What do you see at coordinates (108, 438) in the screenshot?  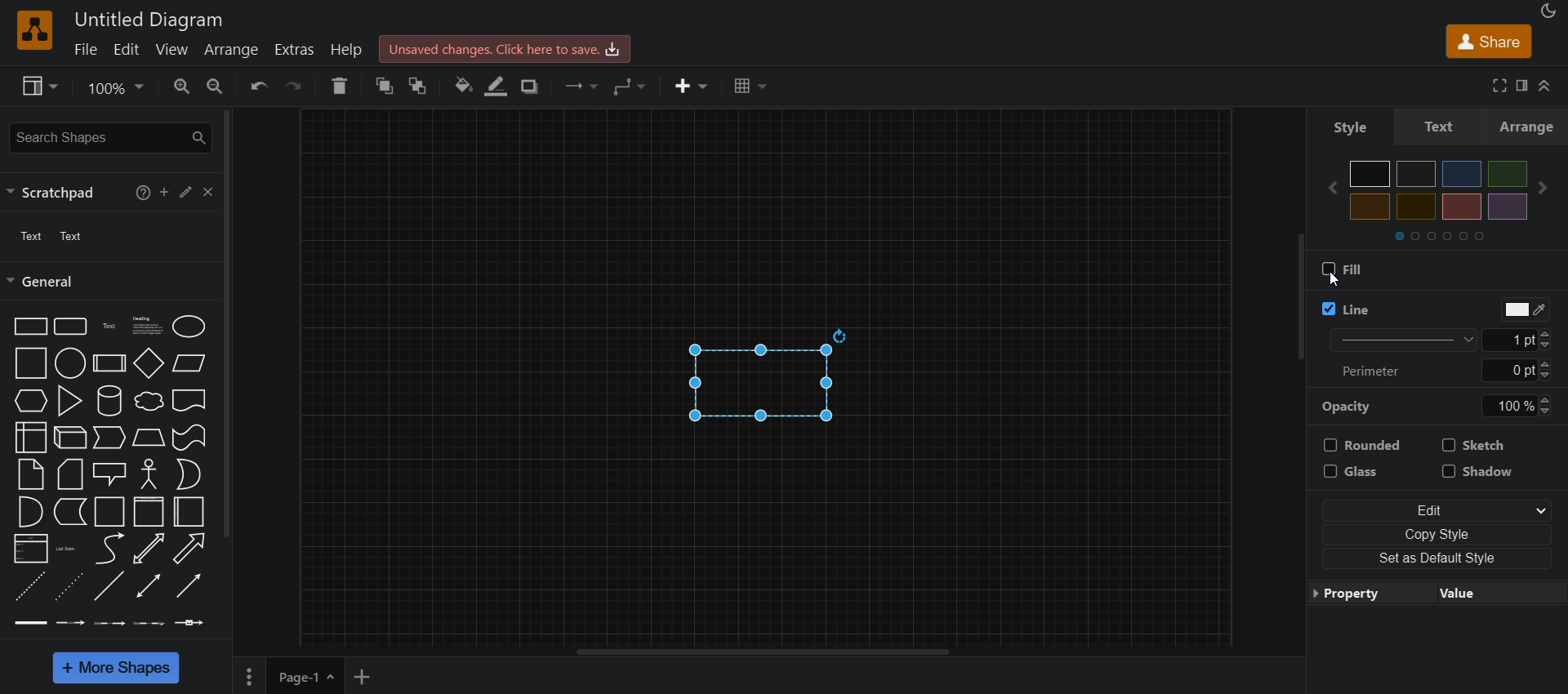 I see `step` at bounding box center [108, 438].